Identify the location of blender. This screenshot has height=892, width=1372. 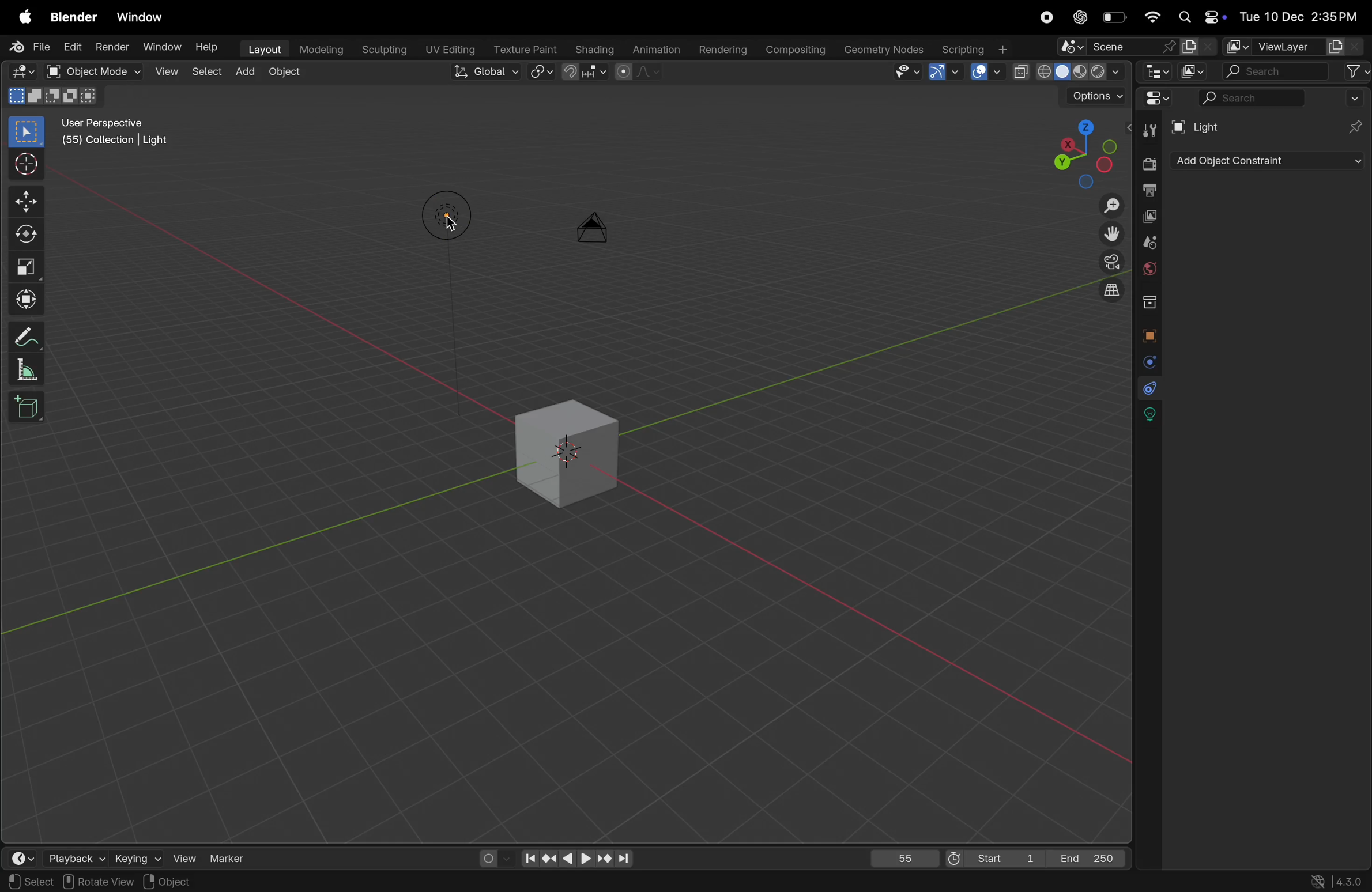
(74, 16).